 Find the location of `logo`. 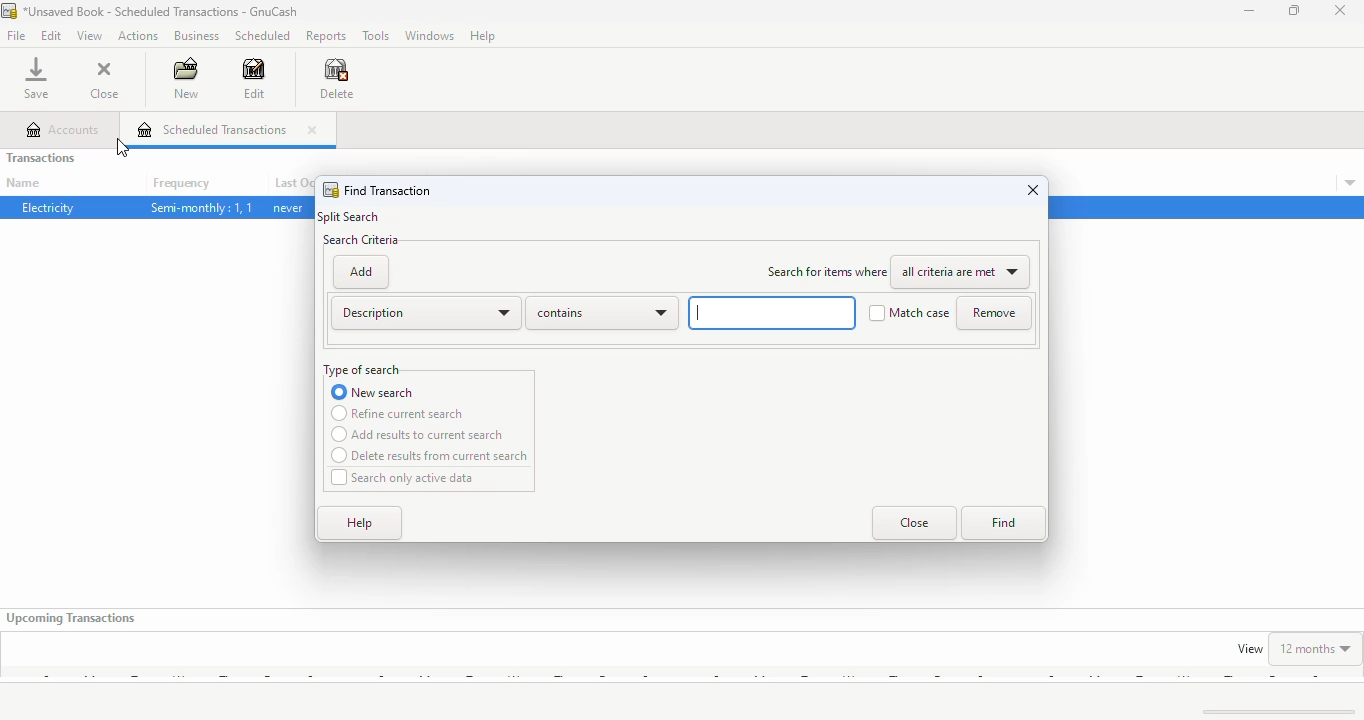

logo is located at coordinates (9, 11).